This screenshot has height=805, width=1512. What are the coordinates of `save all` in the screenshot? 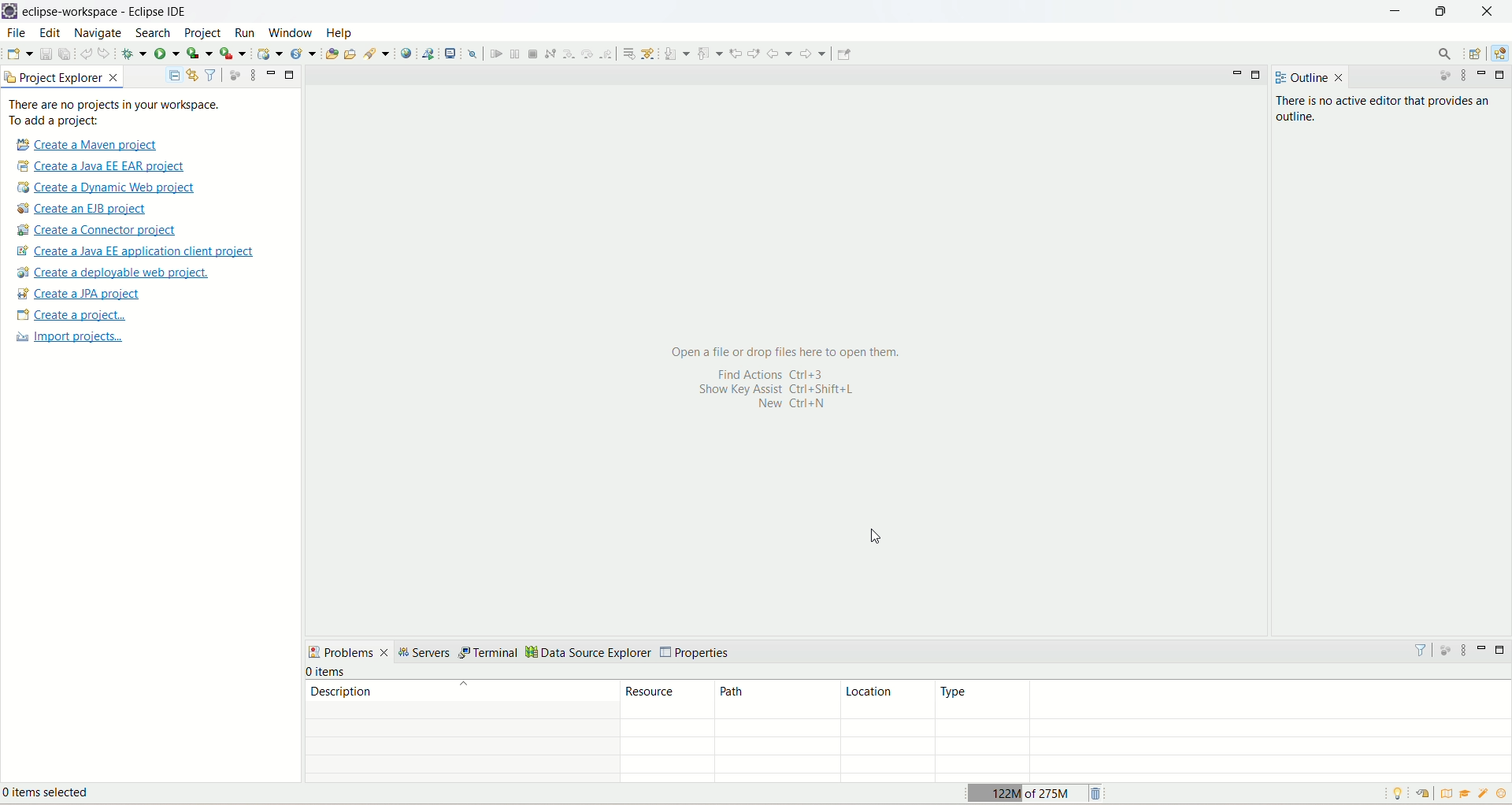 It's located at (65, 53).